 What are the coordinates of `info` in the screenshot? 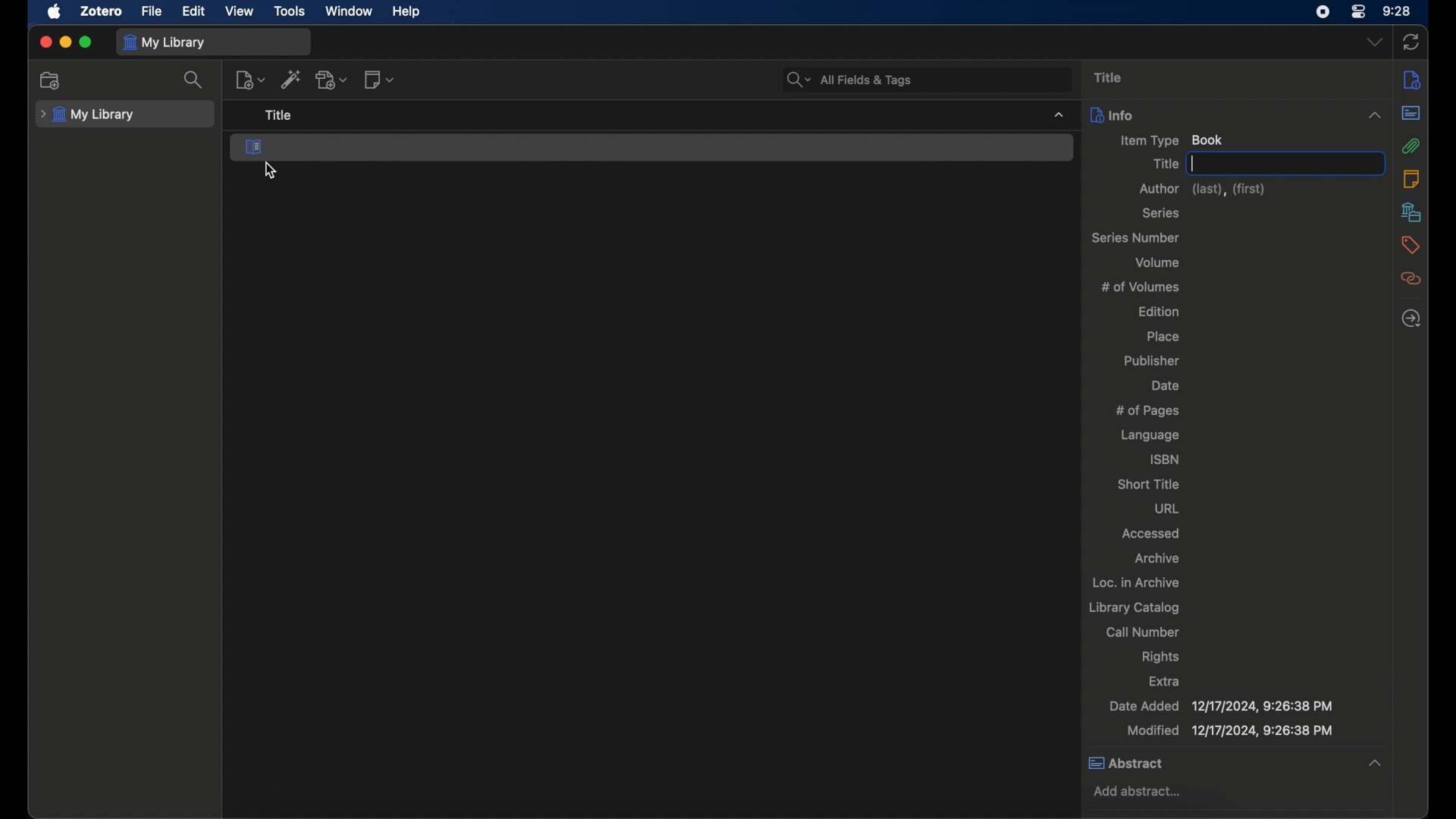 It's located at (1412, 79).